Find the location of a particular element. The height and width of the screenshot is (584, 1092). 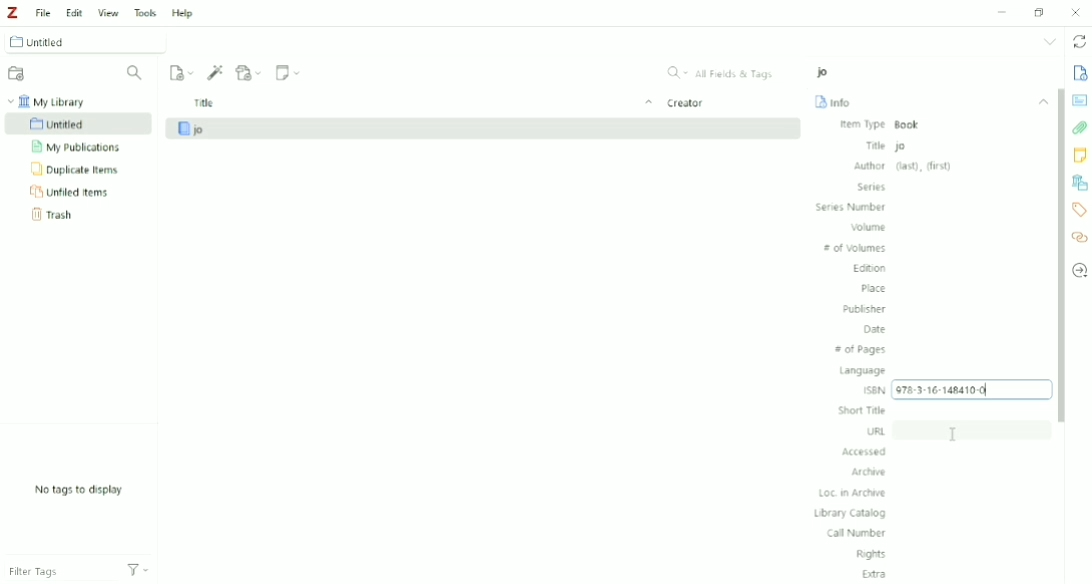

Tags is located at coordinates (1080, 209).